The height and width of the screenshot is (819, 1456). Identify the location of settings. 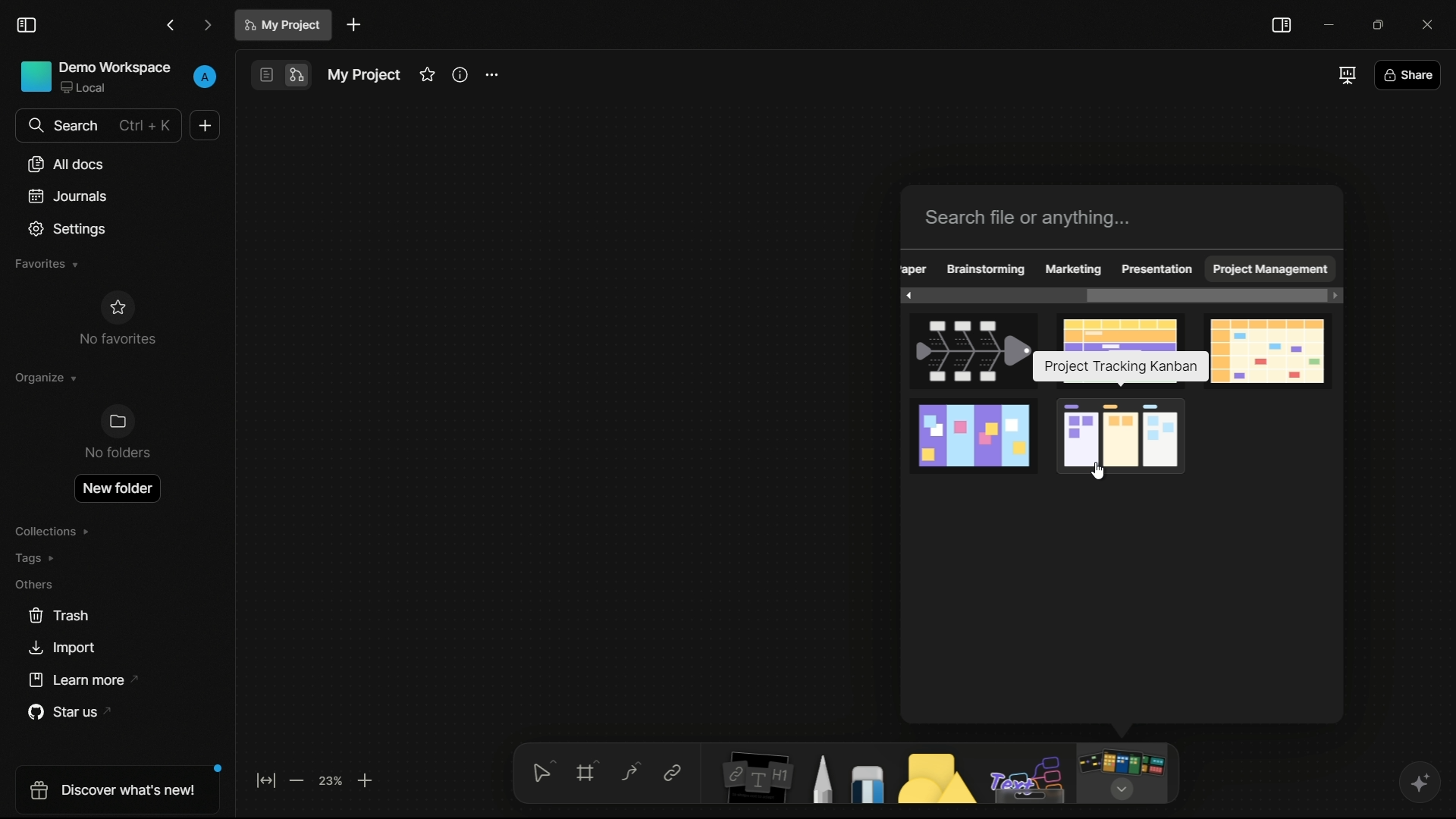
(68, 229).